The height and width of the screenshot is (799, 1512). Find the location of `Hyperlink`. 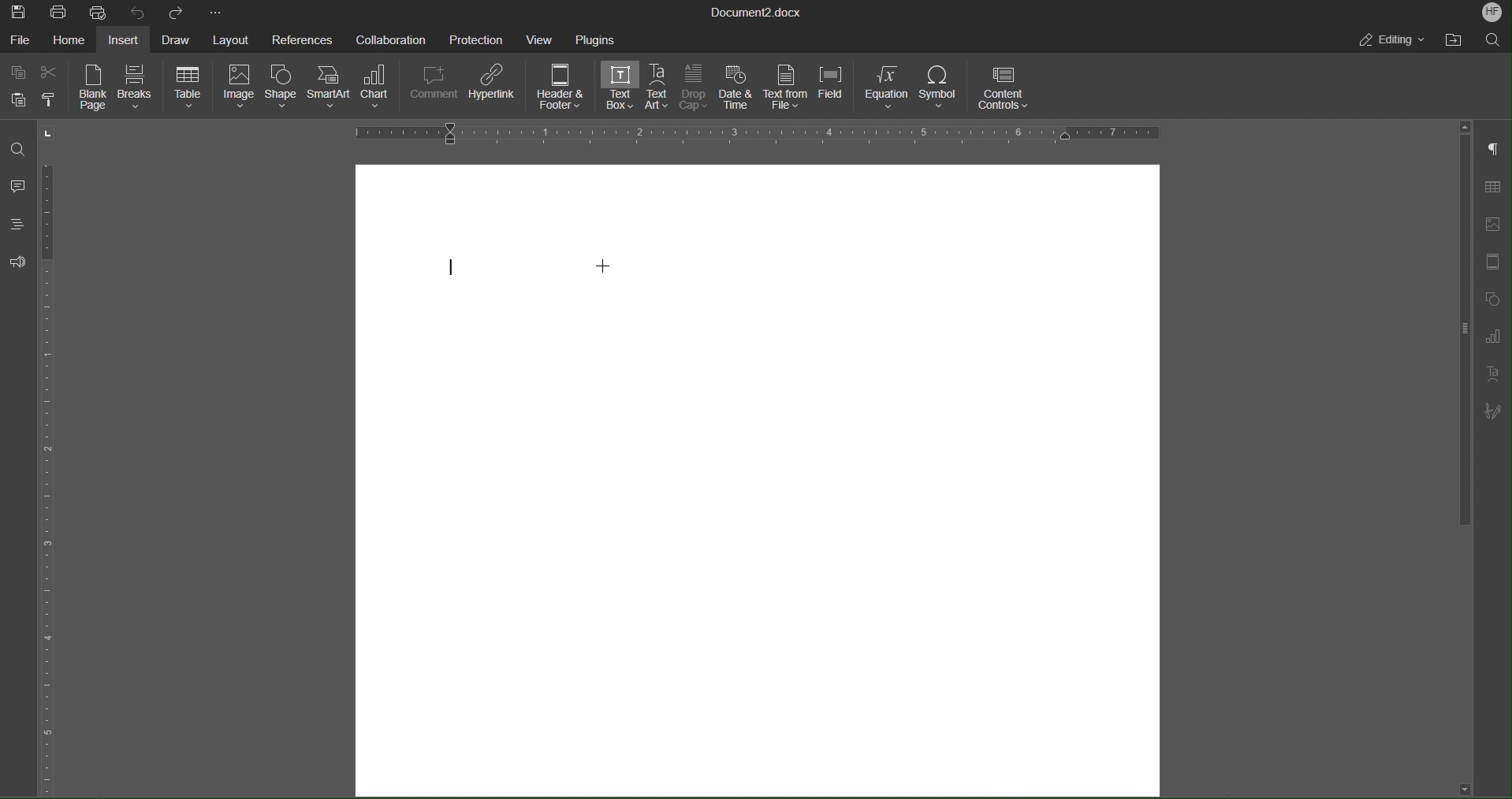

Hyperlink is located at coordinates (494, 87).